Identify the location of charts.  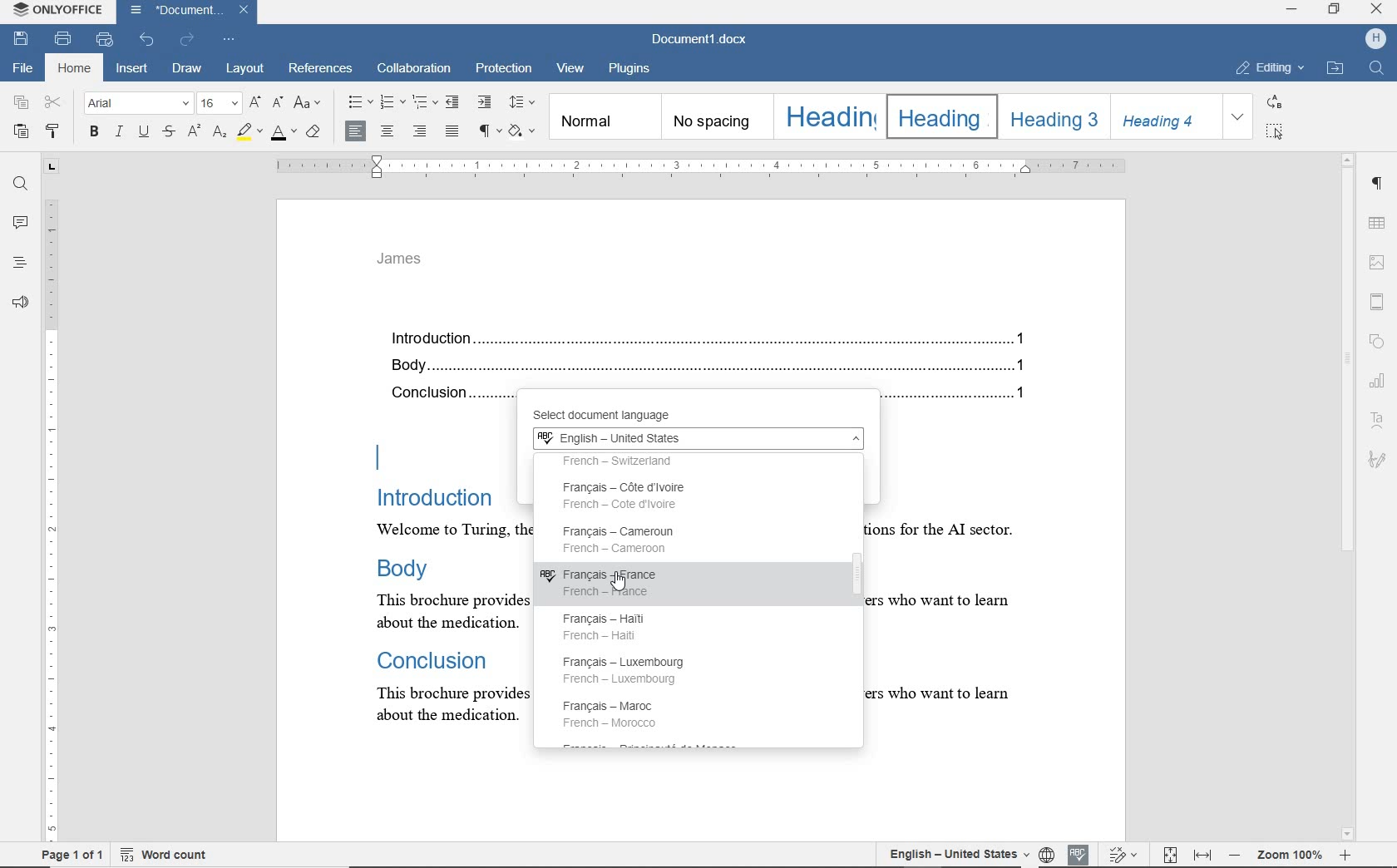
(1381, 378).